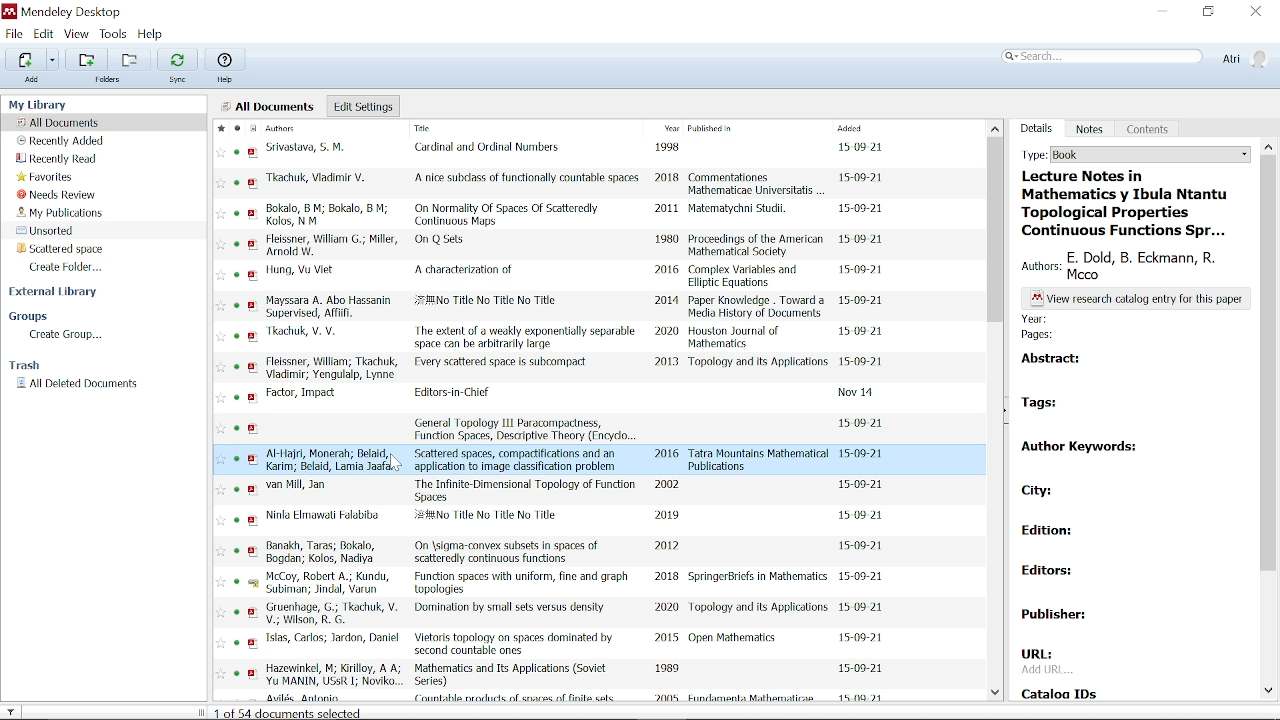 Image resolution: width=1280 pixels, height=720 pixels. What do you see at coordinates (297, 128) in the screenshot?
I see `Authors` at bounding box center [297, 128].